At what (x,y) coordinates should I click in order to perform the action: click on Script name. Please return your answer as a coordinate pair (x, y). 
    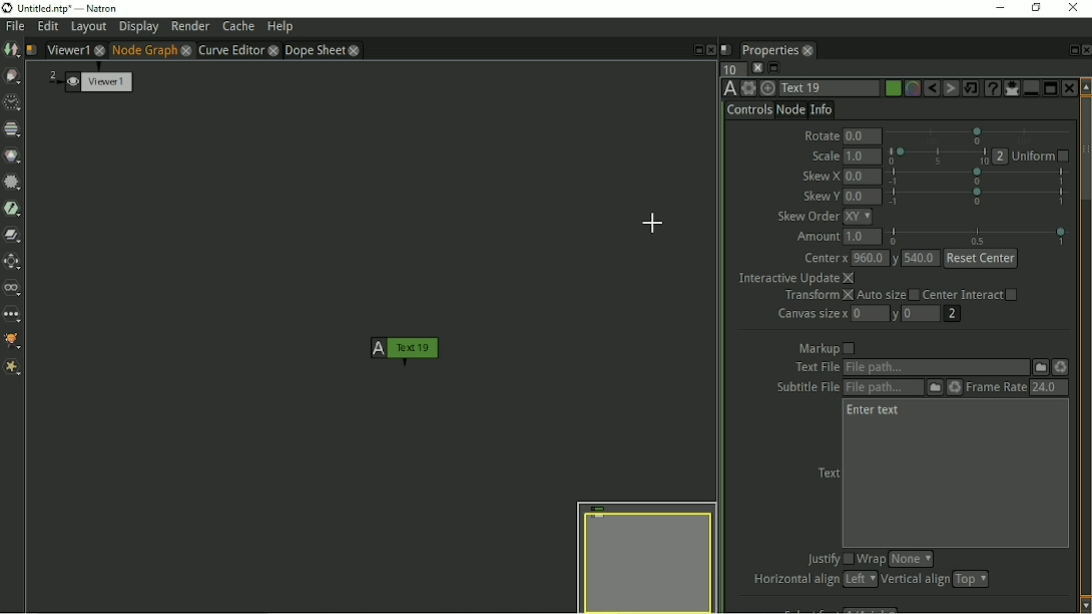
    Looking at the image, I should click on (726, 50).